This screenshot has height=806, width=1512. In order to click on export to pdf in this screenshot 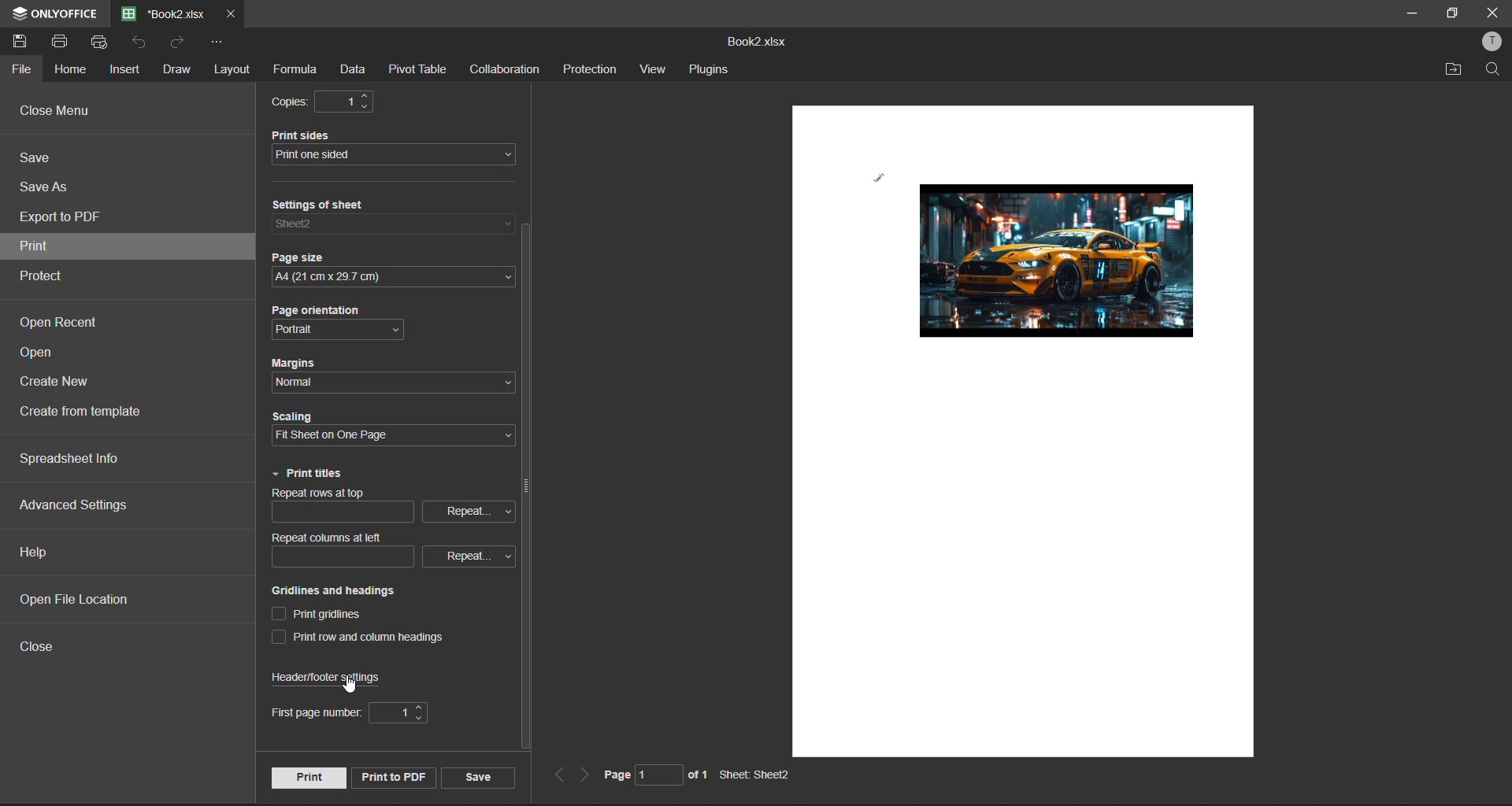, I will do `click(62, 220)`.